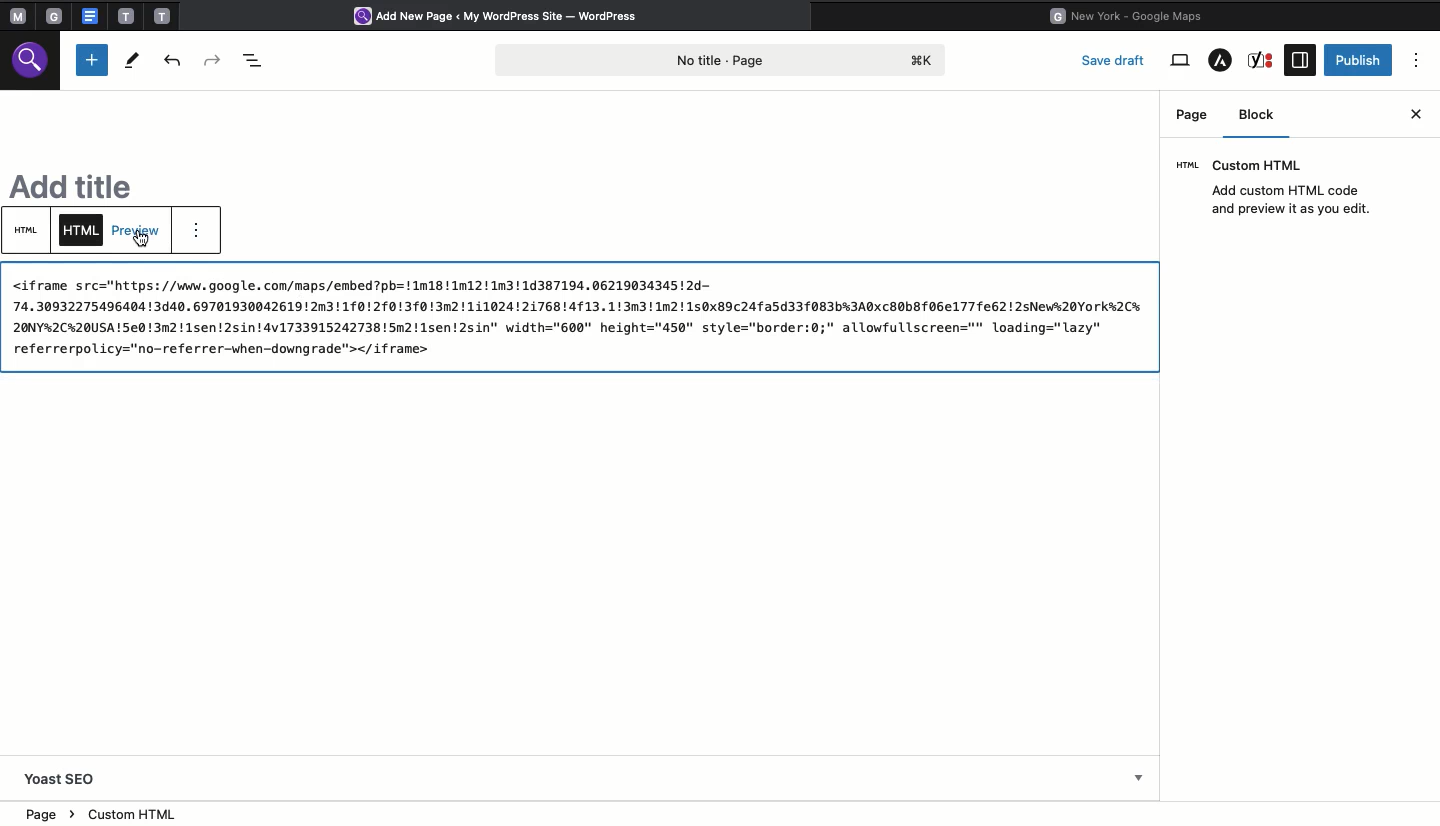 This screenshot has width=1440, height=826. What do you see at coordinates (1140, 780) in the screenshot?
I see `drop down menu` at bounding box center [1140, 780].